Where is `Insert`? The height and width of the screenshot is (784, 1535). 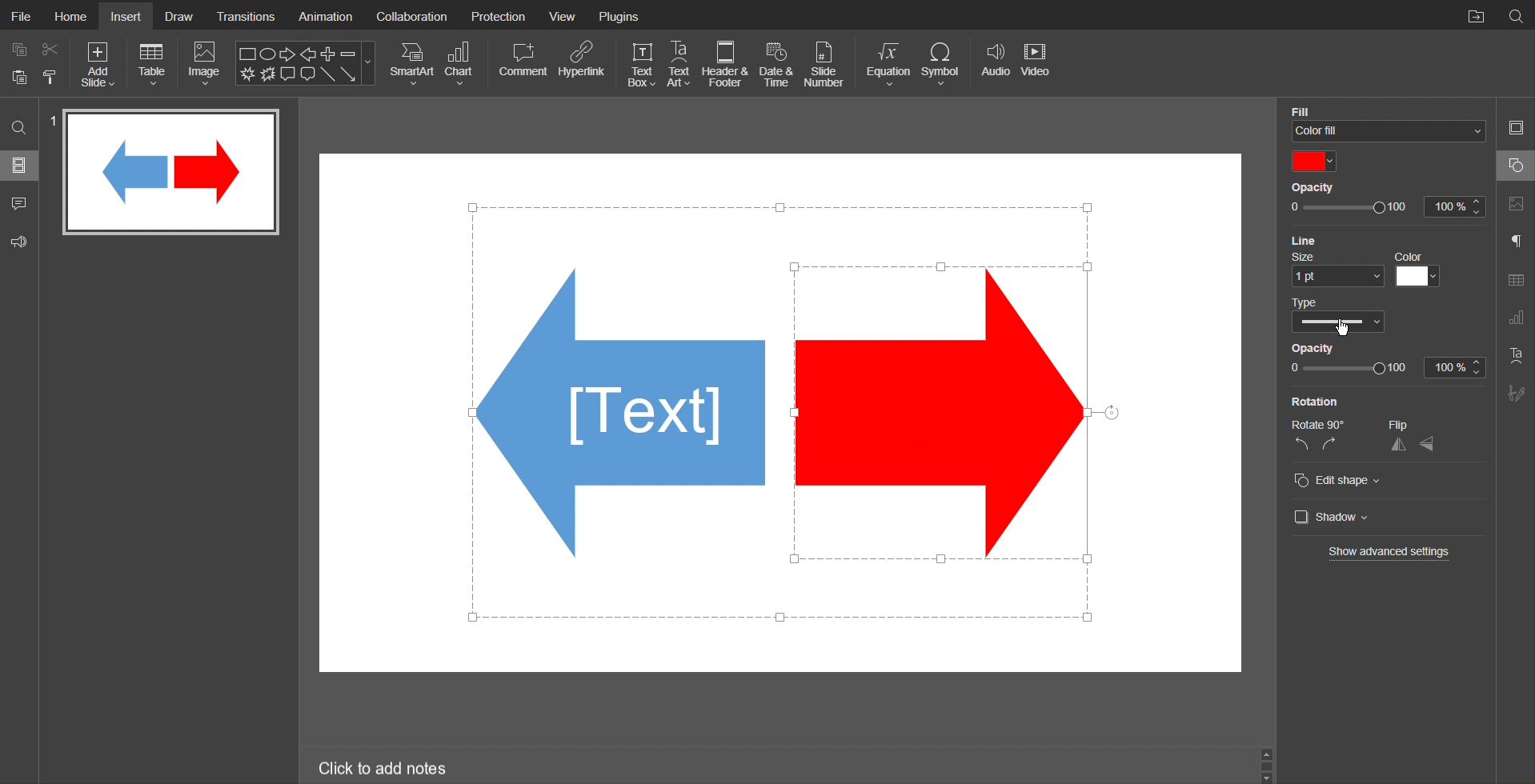
Insert is located at coordinates (128, 16).